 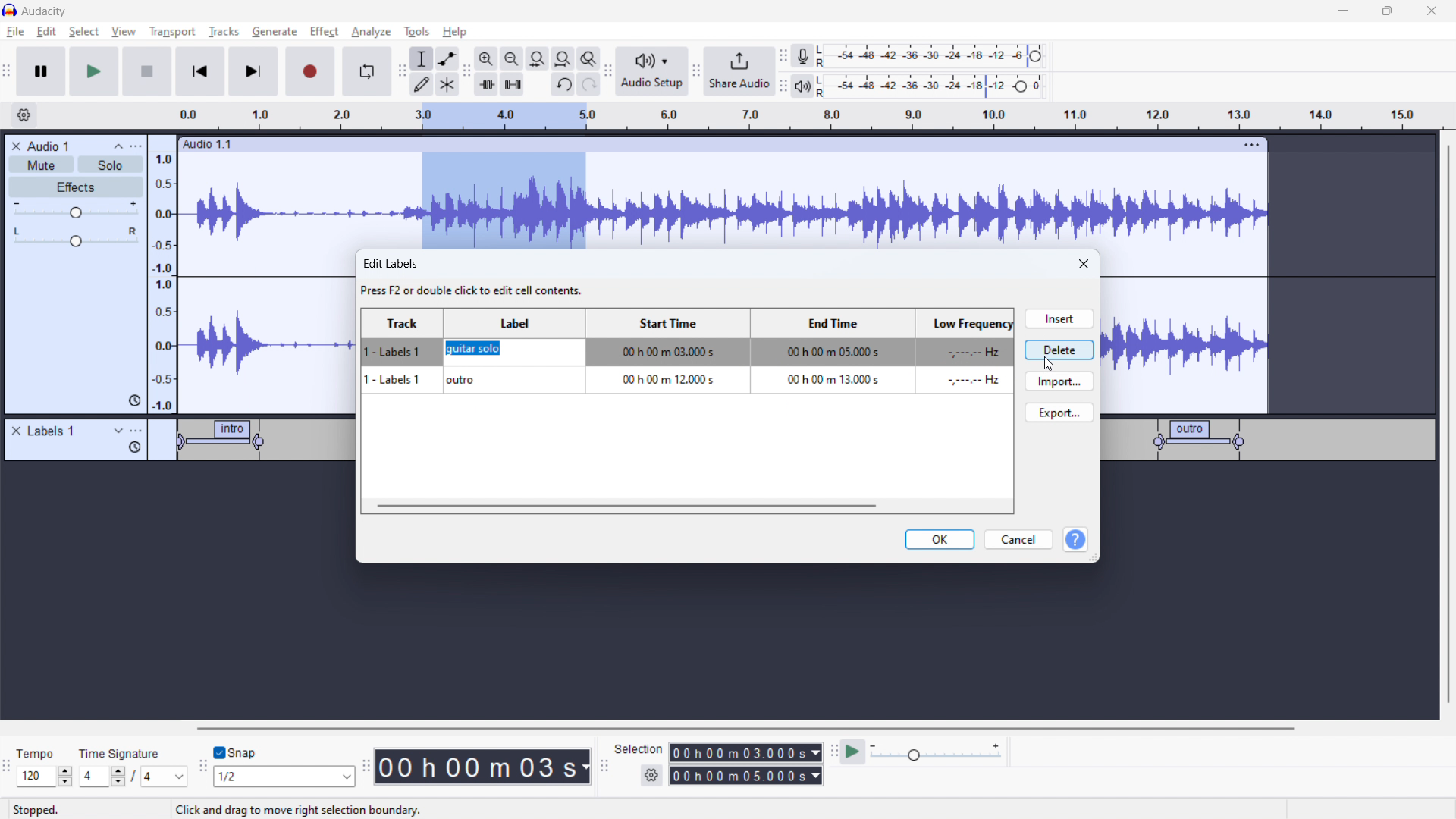 What do you see at coordinates (284, 776) in the screenshot?
I see `select snapping` at bounding box center [284, 776].